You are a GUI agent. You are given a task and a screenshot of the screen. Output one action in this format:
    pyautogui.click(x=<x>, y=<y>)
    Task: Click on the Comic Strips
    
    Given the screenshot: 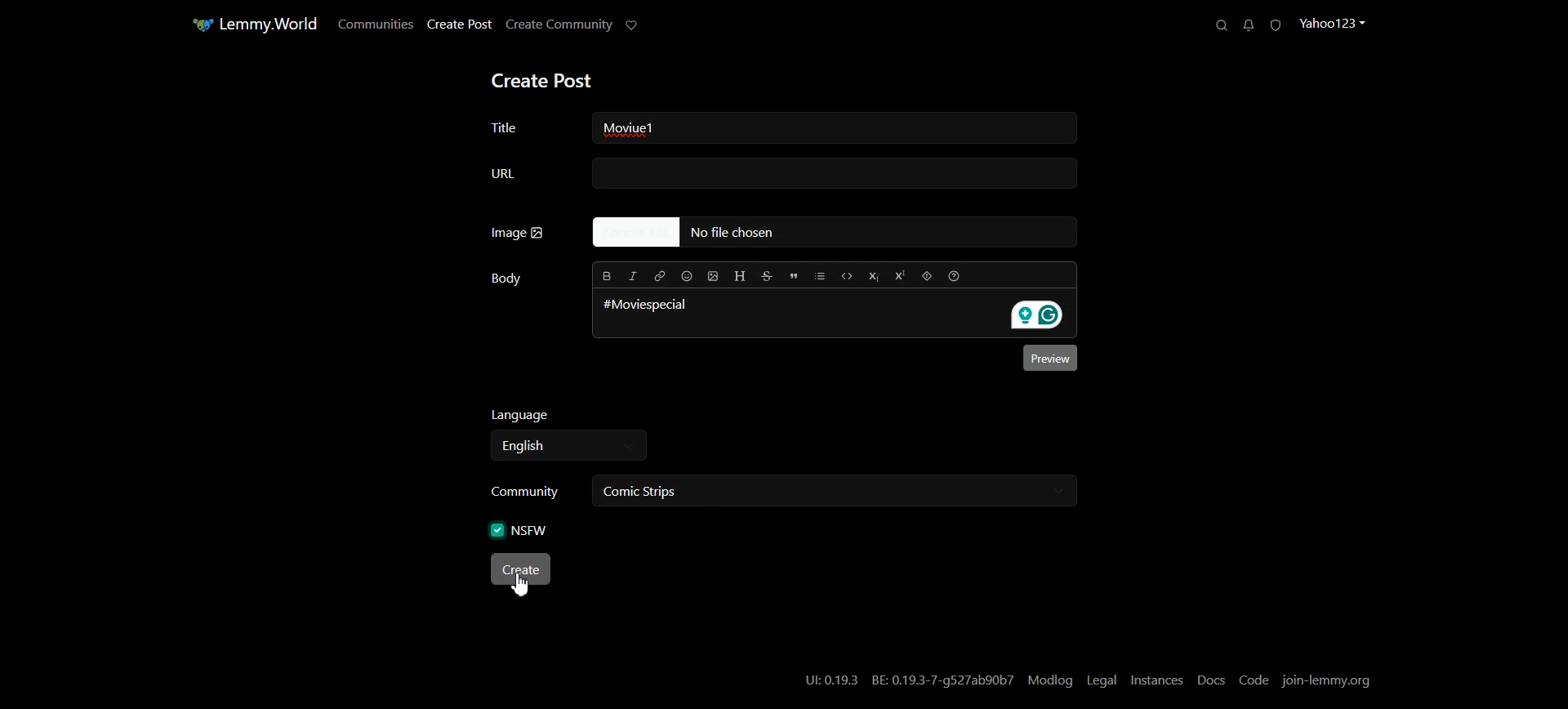 What is the action you would take?
    pyautogui.click(x=671, y=492)
    